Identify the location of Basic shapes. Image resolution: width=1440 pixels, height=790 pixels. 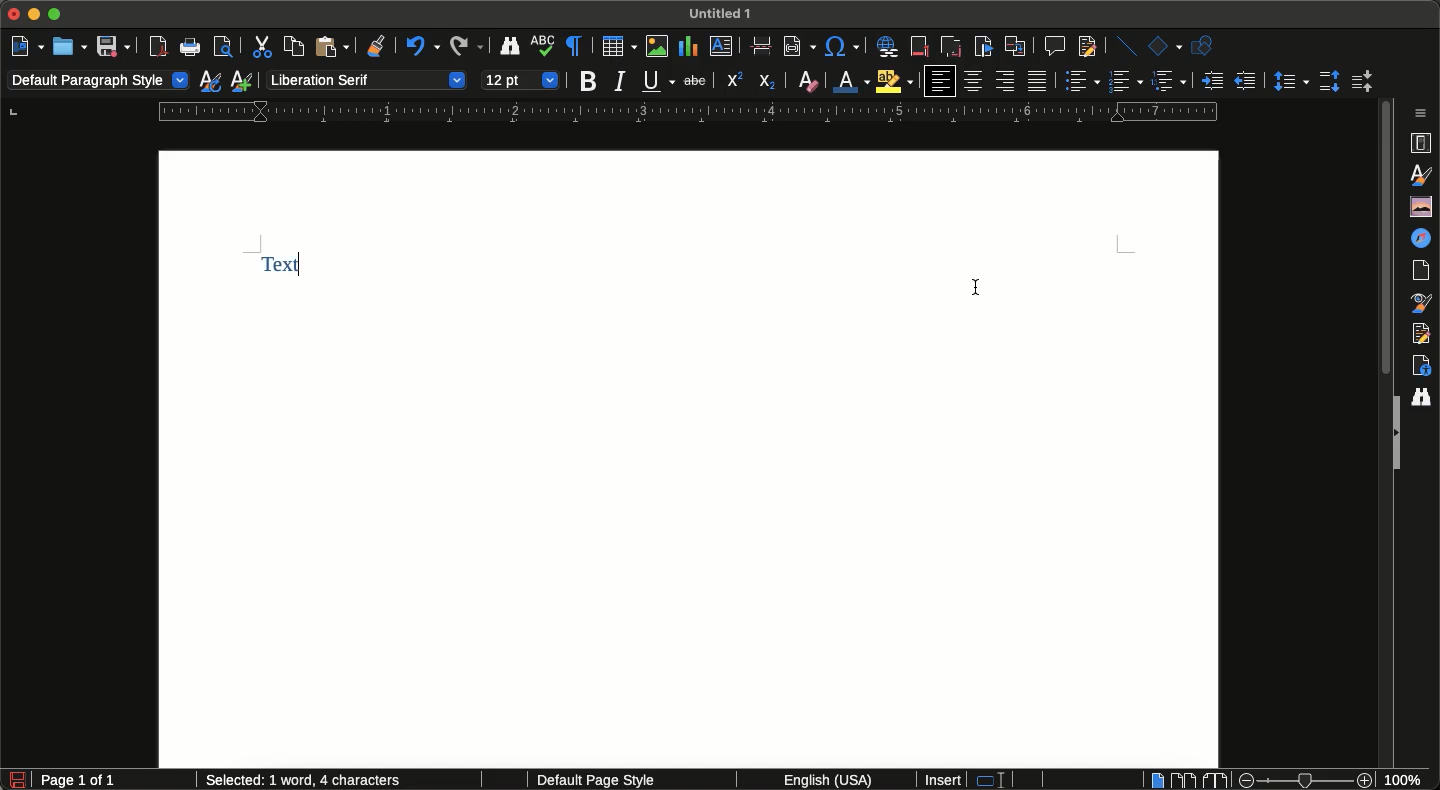
(1164, 46).